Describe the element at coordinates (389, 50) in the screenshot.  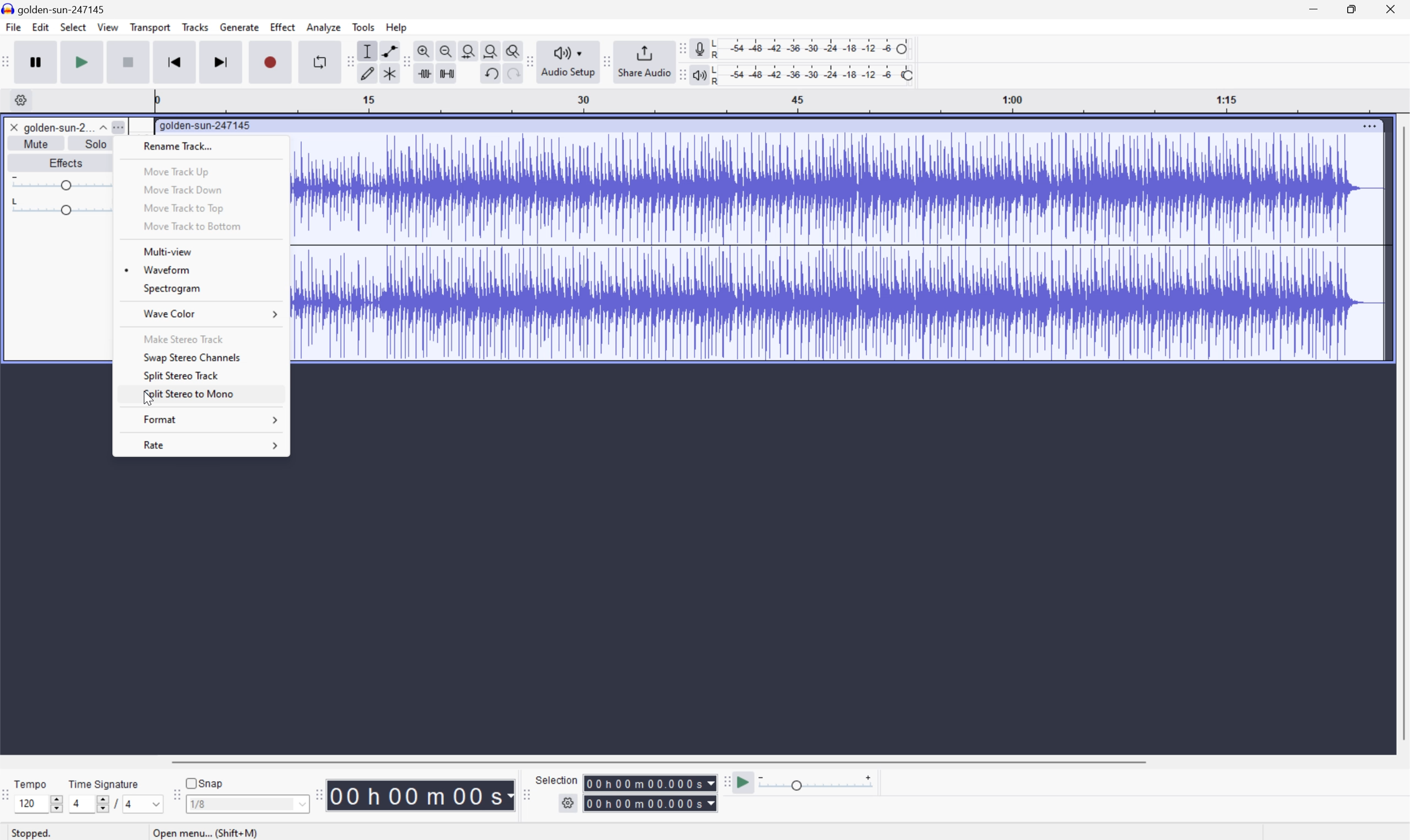
I see `Envelope tool` at that location.